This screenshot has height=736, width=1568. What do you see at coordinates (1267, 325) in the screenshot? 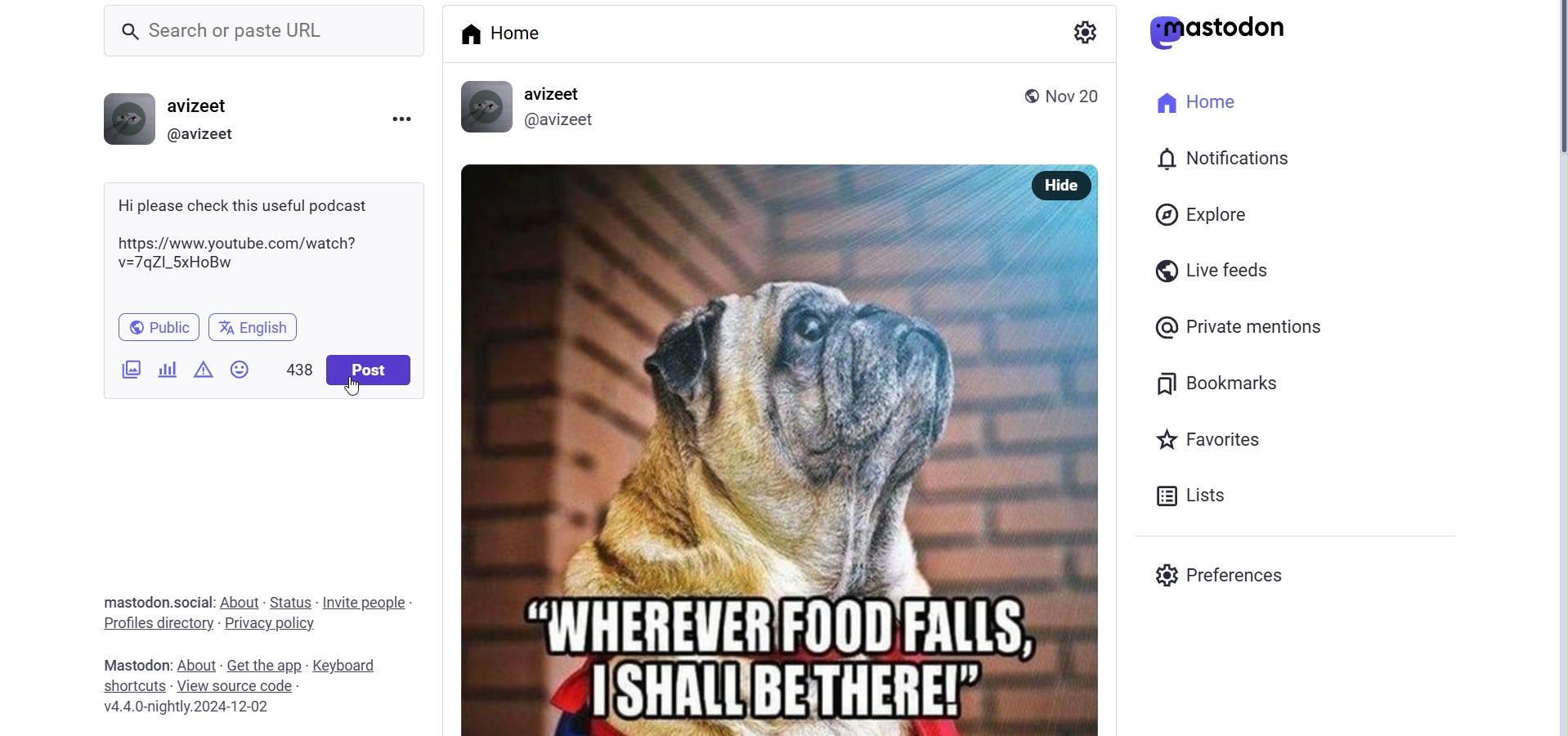
I see `private mentions` at bounding box center [1267, 325].